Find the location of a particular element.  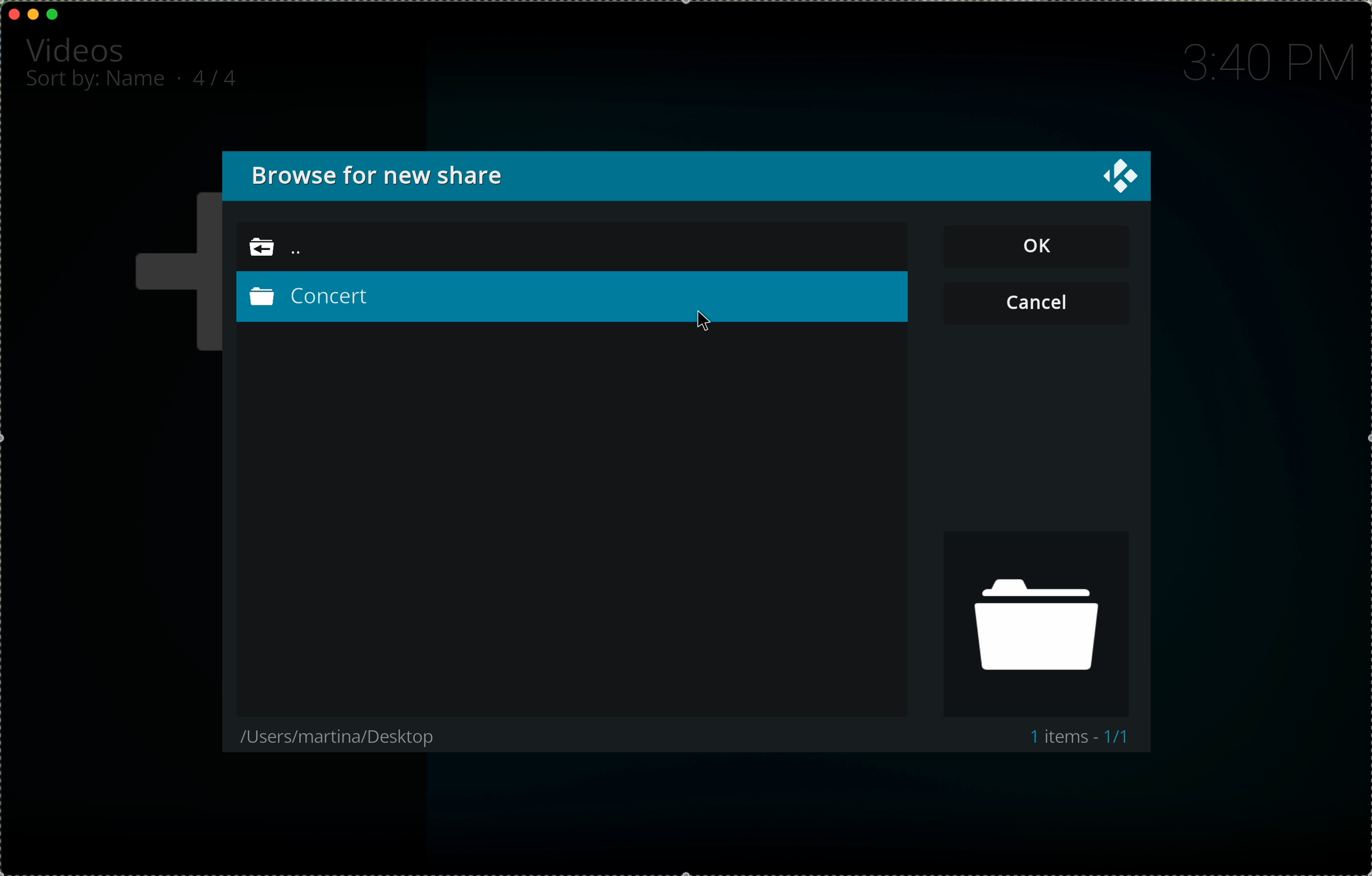

close is located at coordinates (1112, 178).